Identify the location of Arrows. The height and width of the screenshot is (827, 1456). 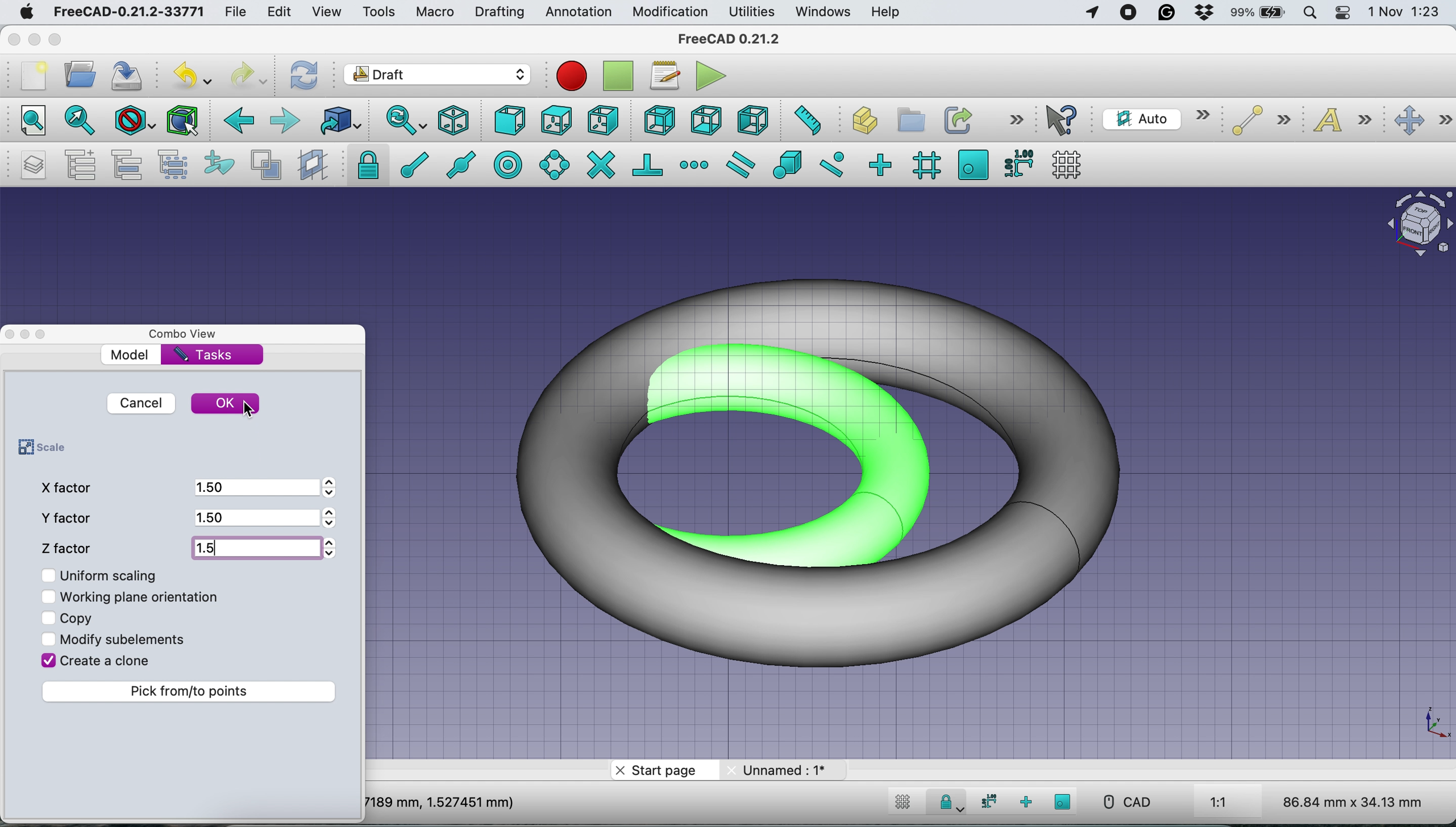
(335, 487).